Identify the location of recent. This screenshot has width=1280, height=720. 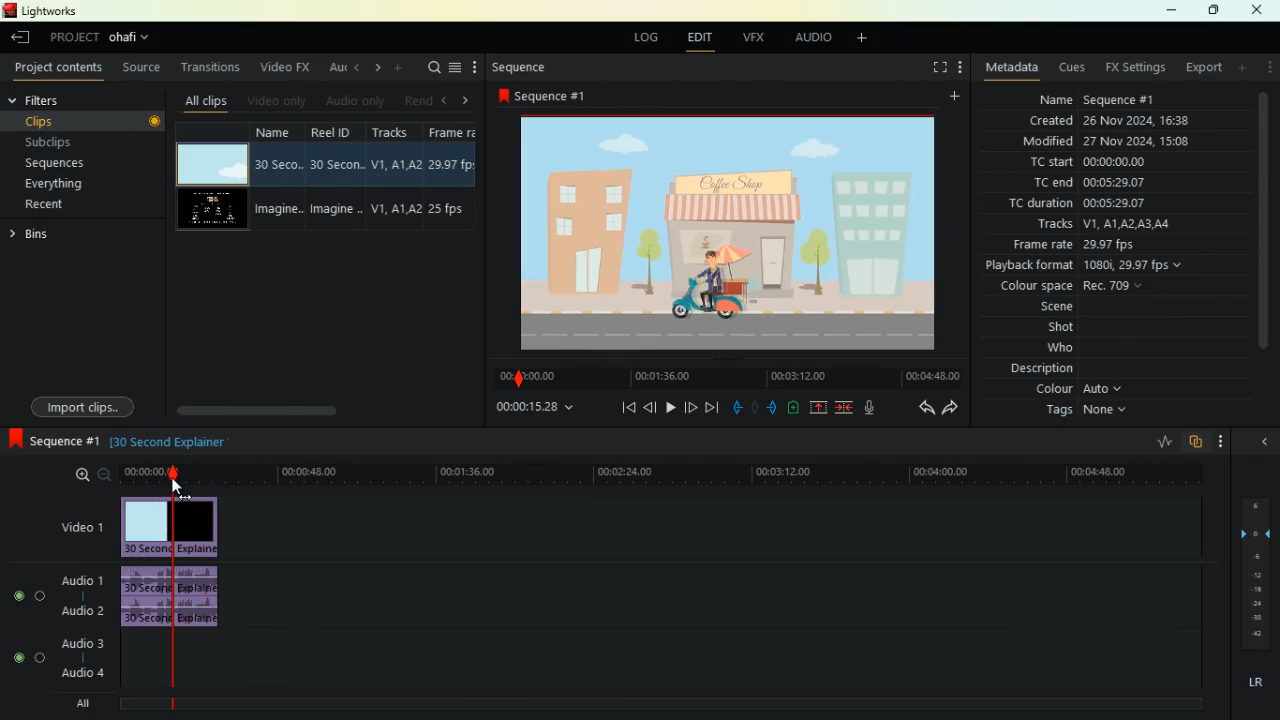
(54, 204).